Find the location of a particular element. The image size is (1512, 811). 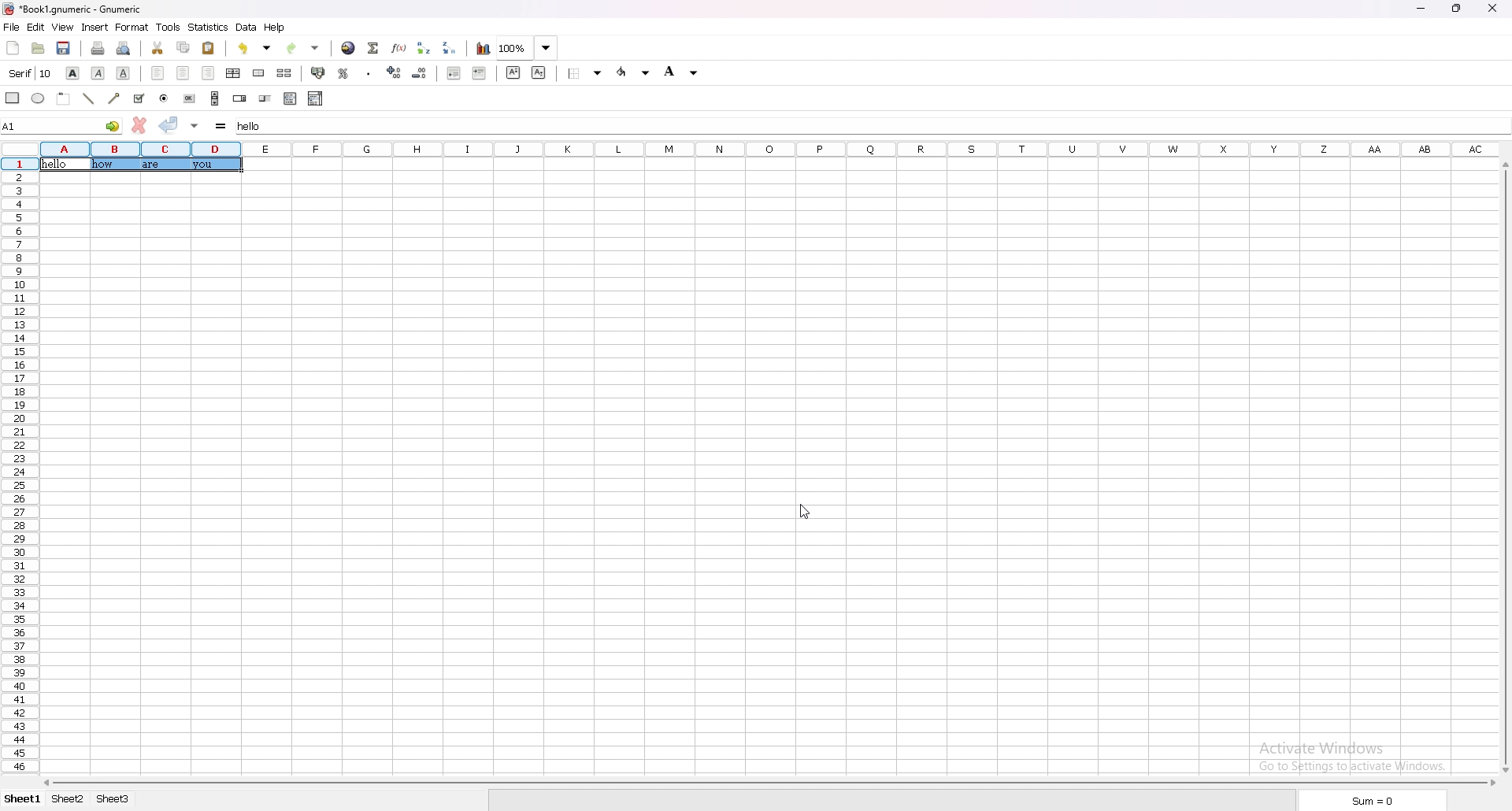

cut is located at coordinates (157, 46).